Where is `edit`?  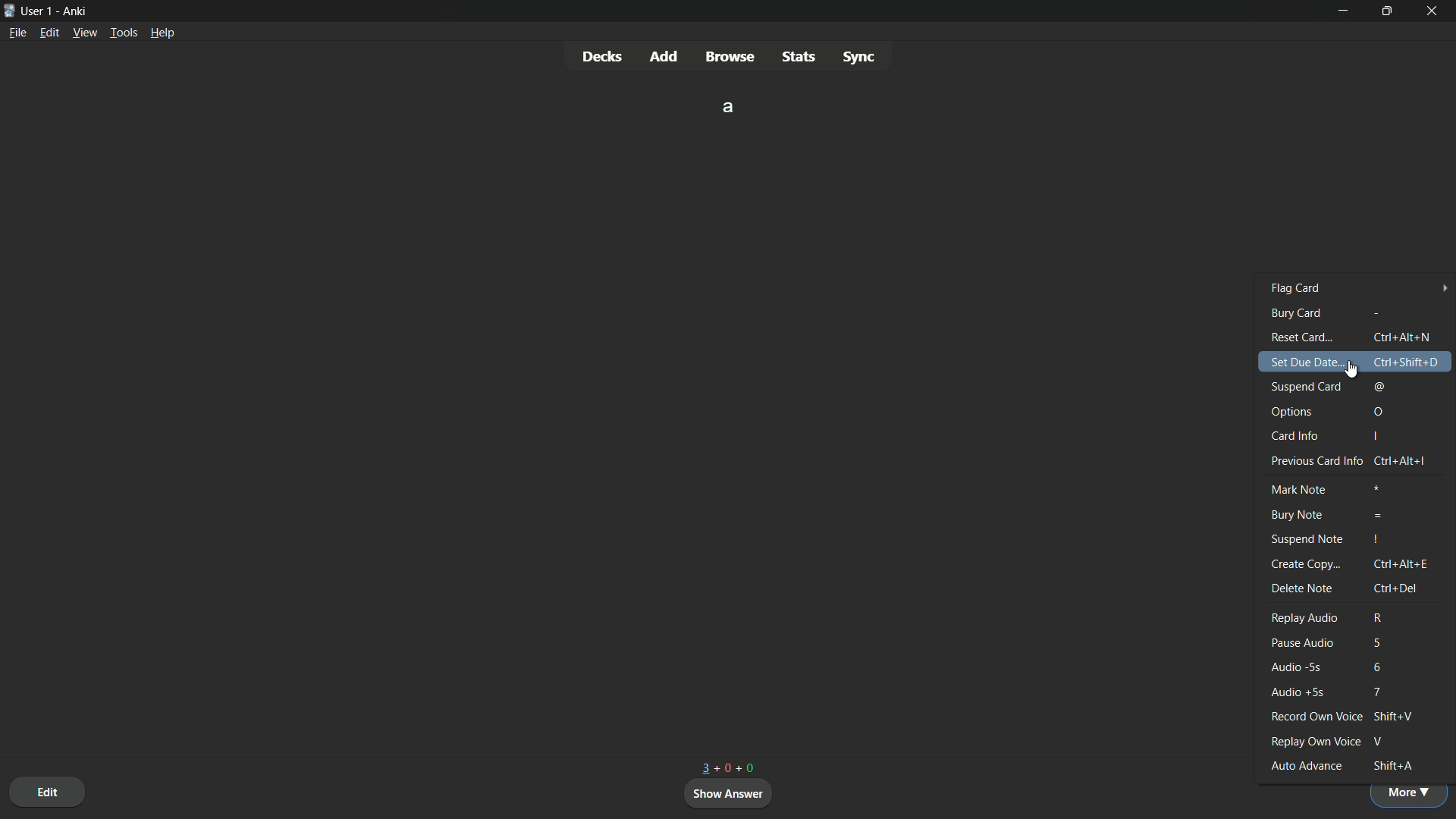
edit is located at coordinates (47, 791).